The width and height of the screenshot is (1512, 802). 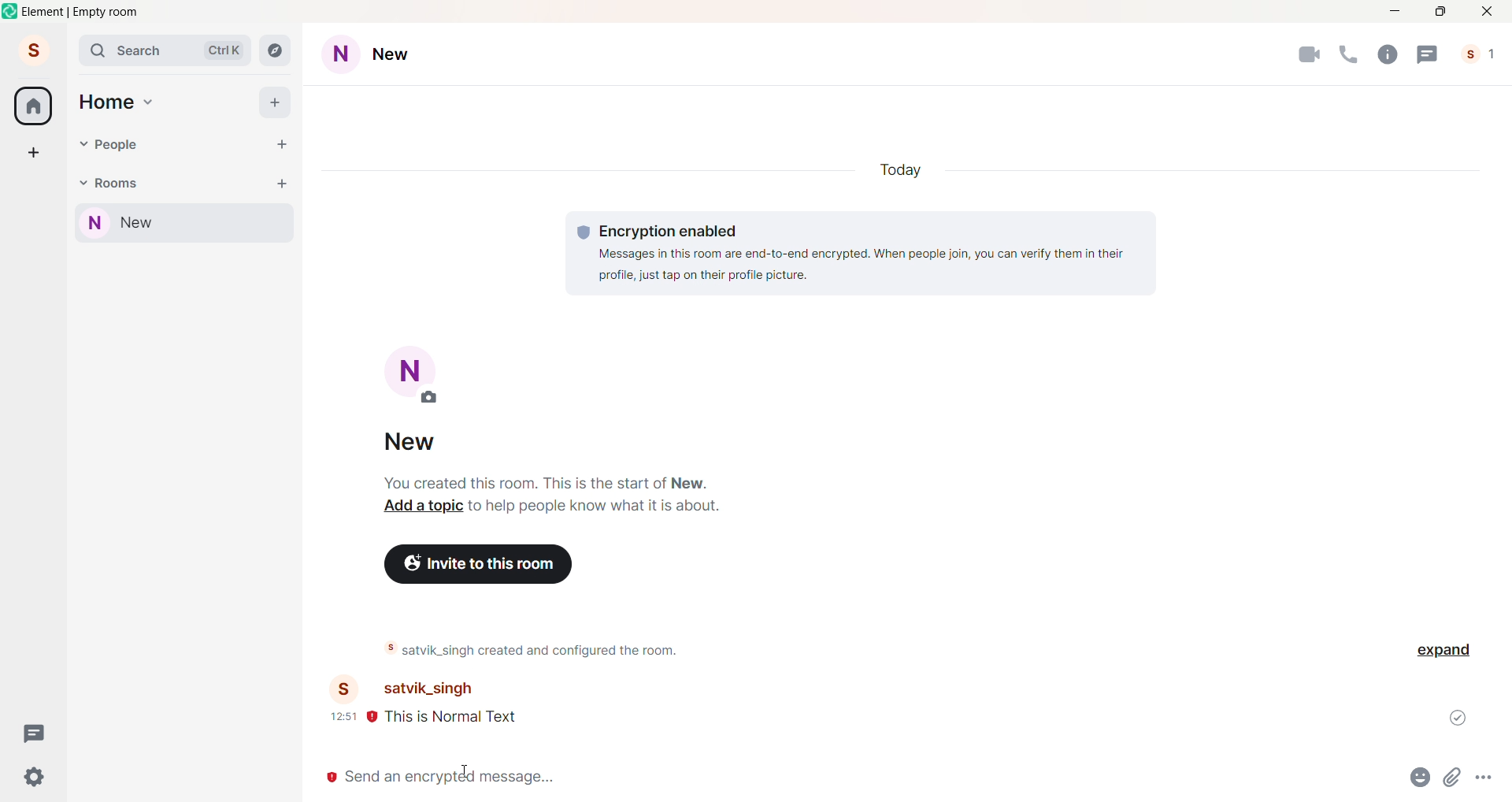 I want to click on Create a Space, so click(x=34, y=152).